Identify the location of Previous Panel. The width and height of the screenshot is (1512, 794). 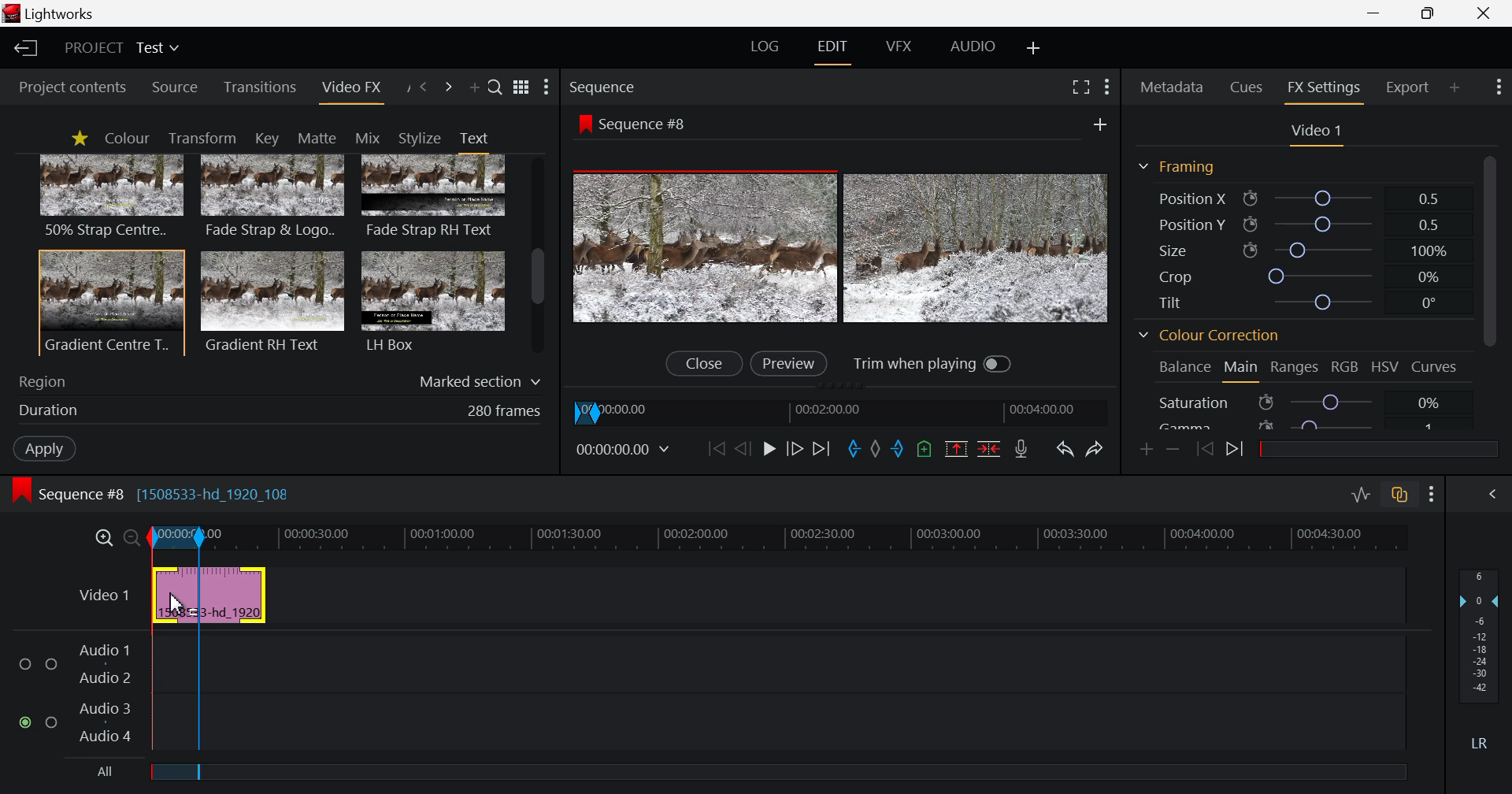
(424, 86).